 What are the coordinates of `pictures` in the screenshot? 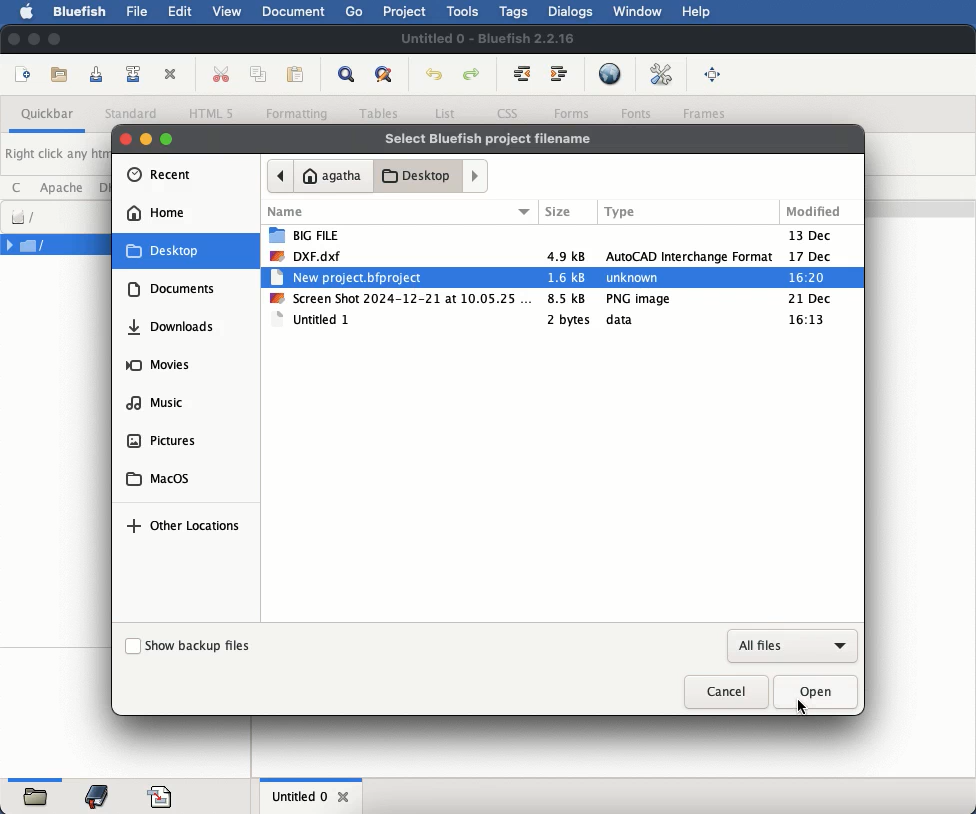 It's located at (162, 441).